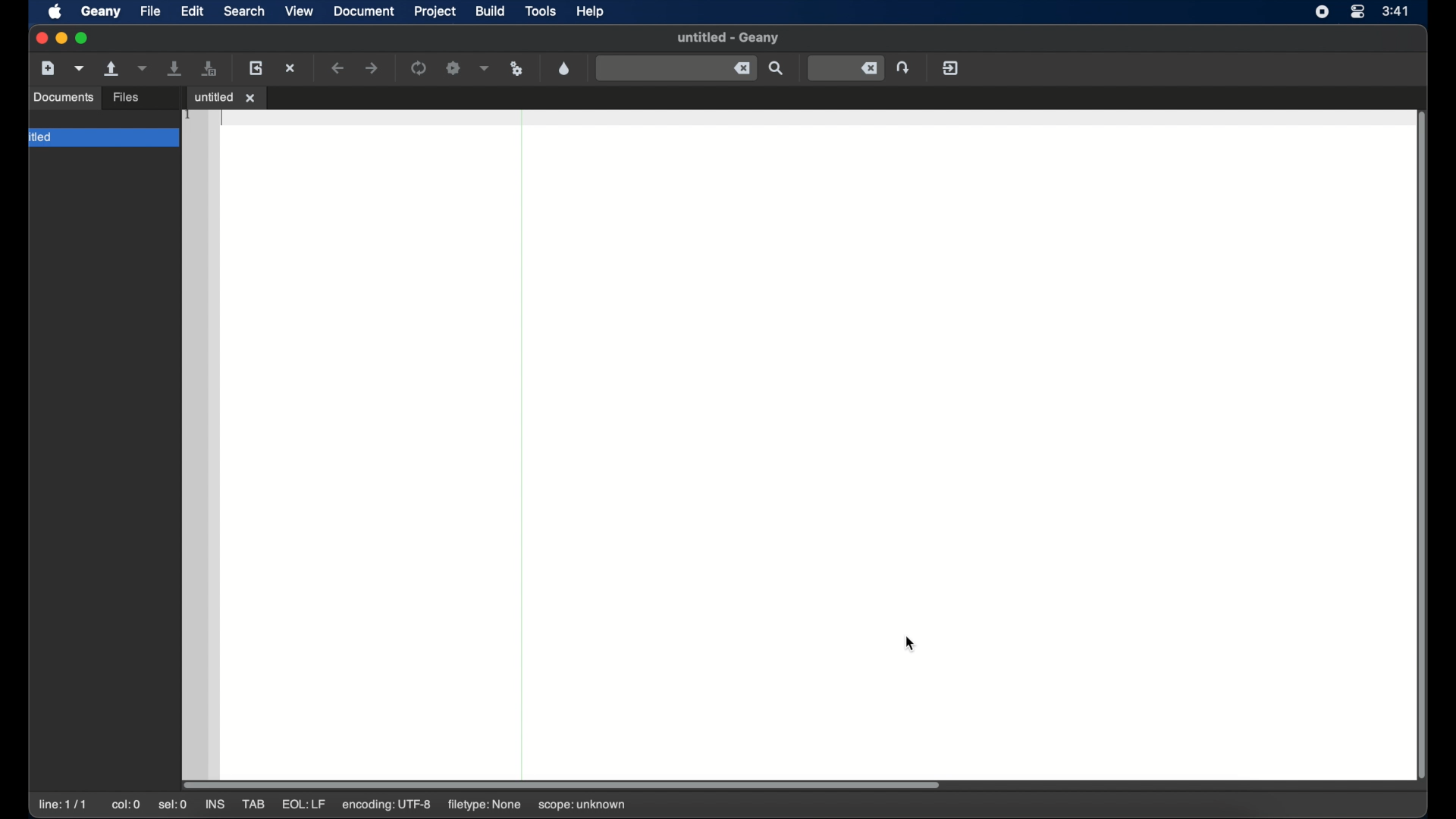 This screenshot has width=1456, height=819. I want to click on build, so click(491, 11).